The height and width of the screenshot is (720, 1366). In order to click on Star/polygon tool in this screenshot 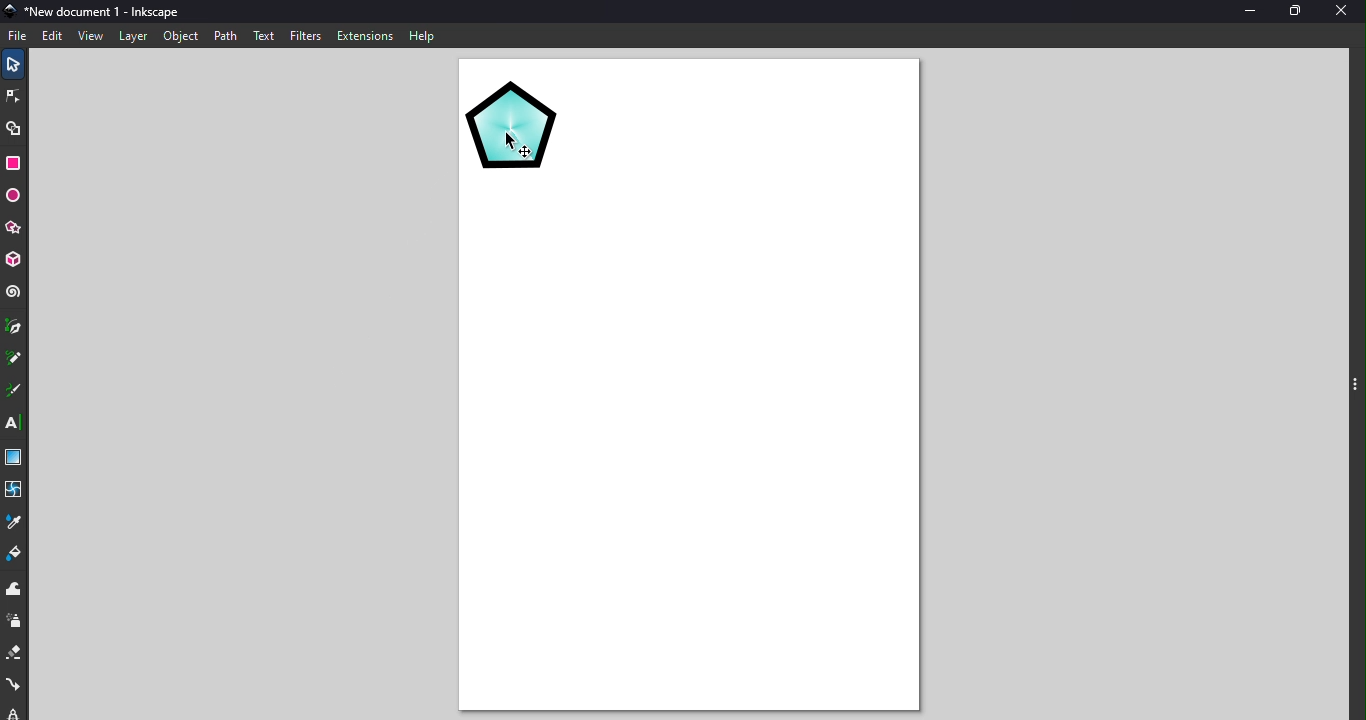, I will do `click(17, 227)`.